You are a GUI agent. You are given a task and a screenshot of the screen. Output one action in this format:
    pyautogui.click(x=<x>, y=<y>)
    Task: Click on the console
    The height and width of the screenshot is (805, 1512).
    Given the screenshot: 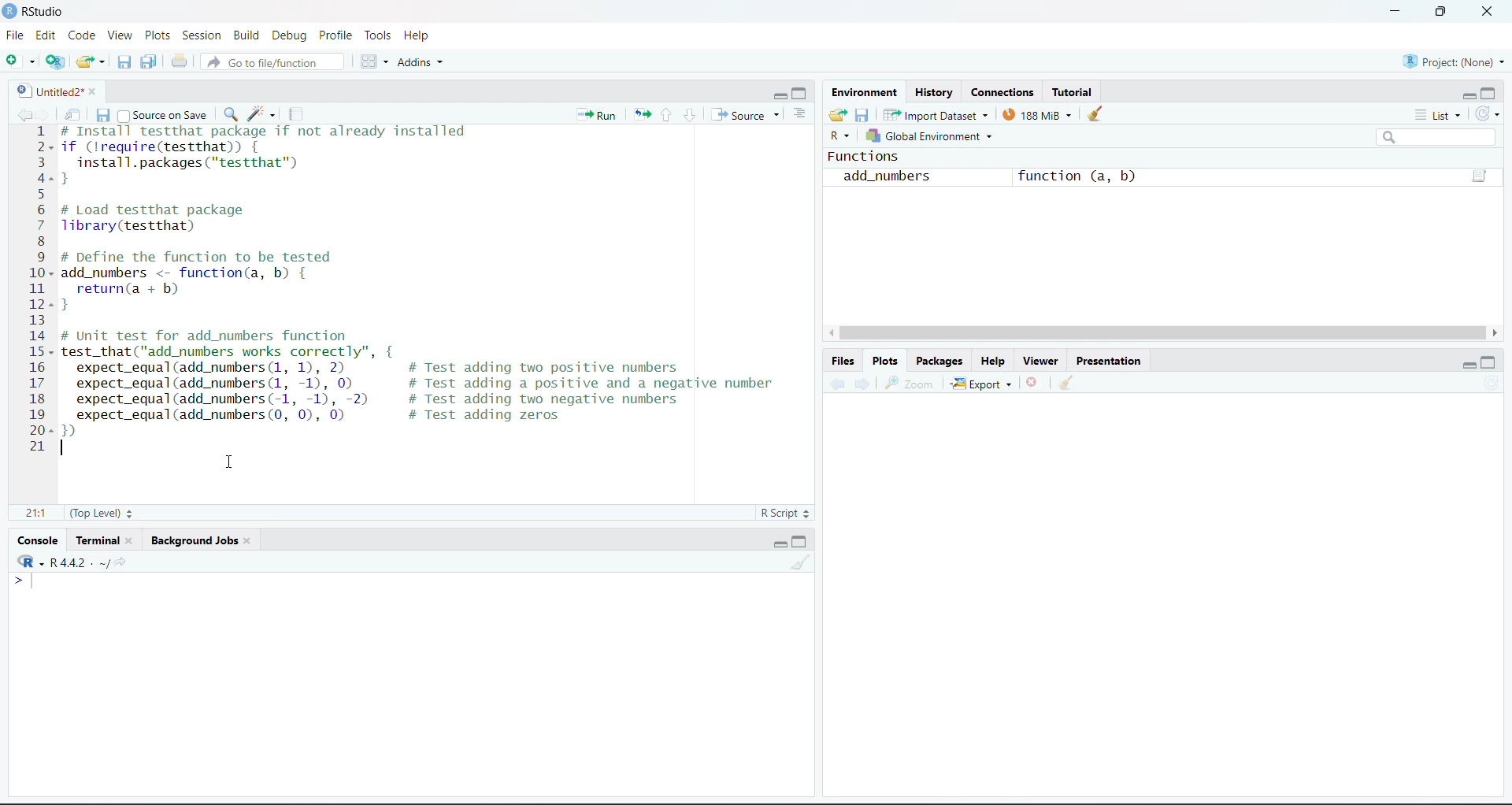 What is the action you would take?
    pyautogui.click(x=38, y=540)
    